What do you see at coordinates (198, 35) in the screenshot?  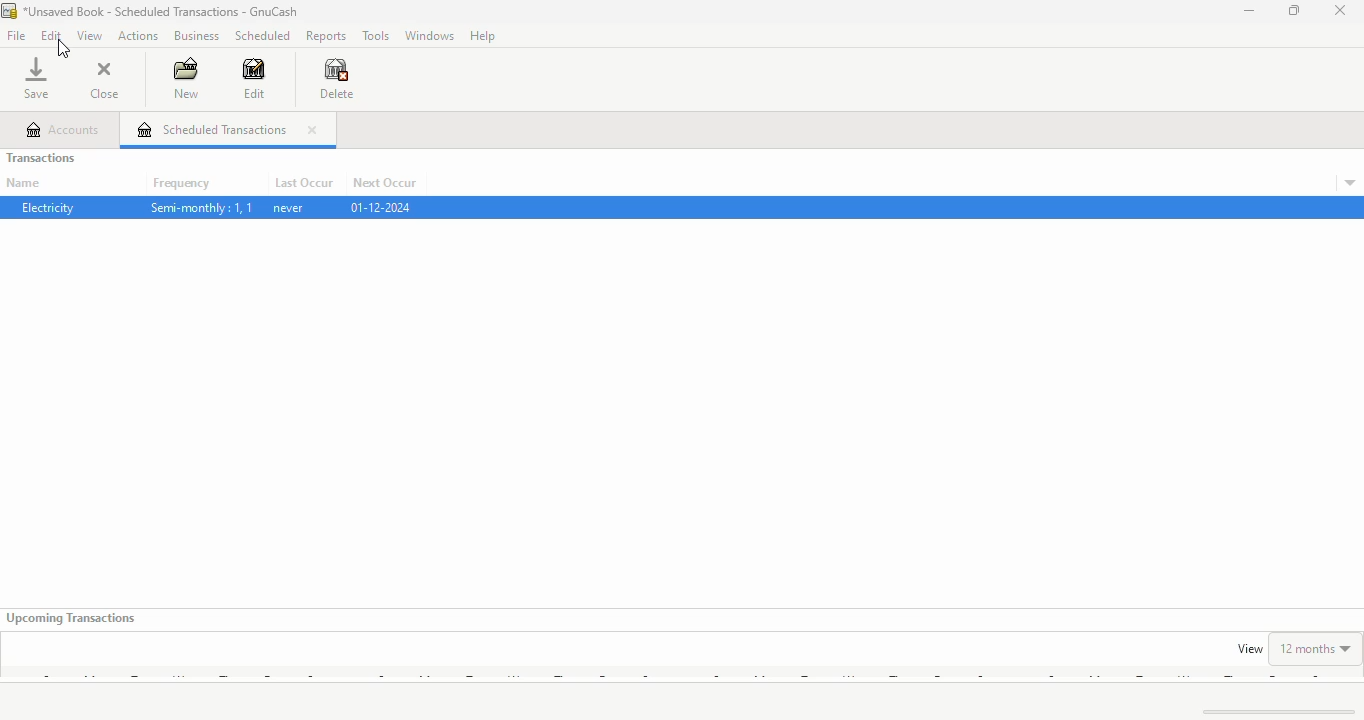 I see `business` at bounding box center [198, 35].